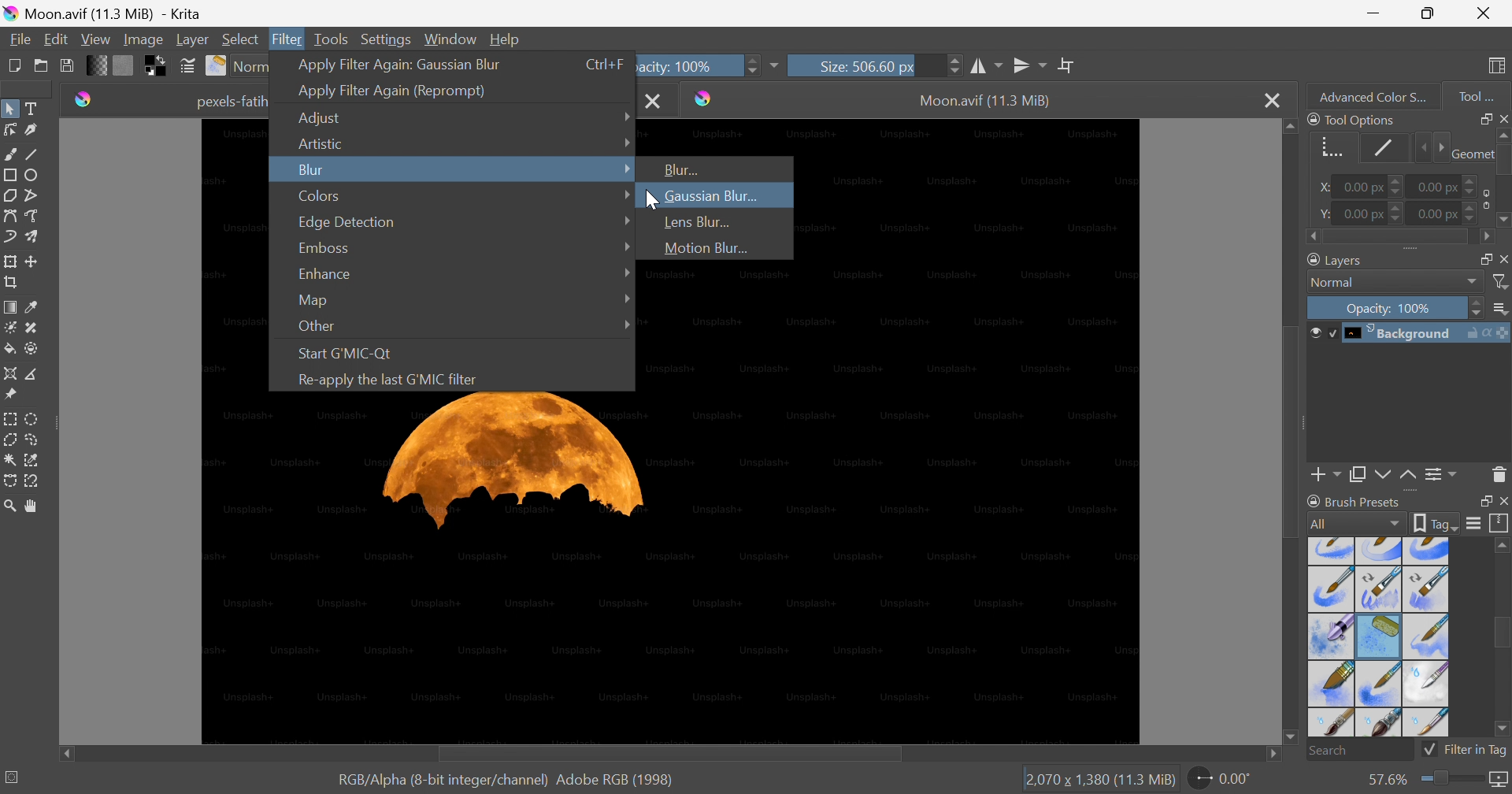  What do you see at coordinates (1465, 752) in the screenshot?
I see `Filter in Tag` at bounding box center [1465, 752].